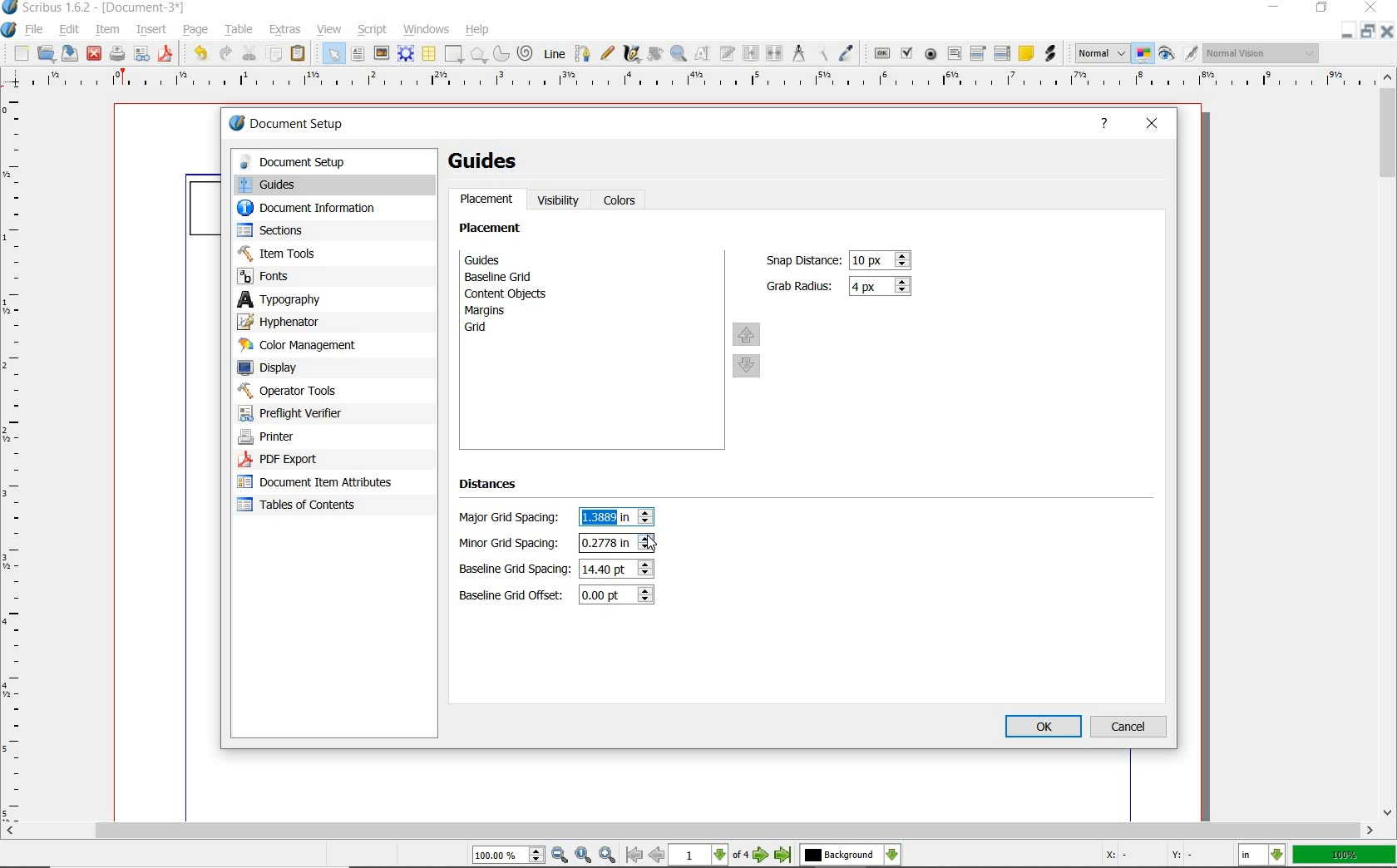 The image size is (1397, 868). What do you see at coordinates (526, 52) in the screenshot?
I see `spiral` at bounding box center [526, 52].